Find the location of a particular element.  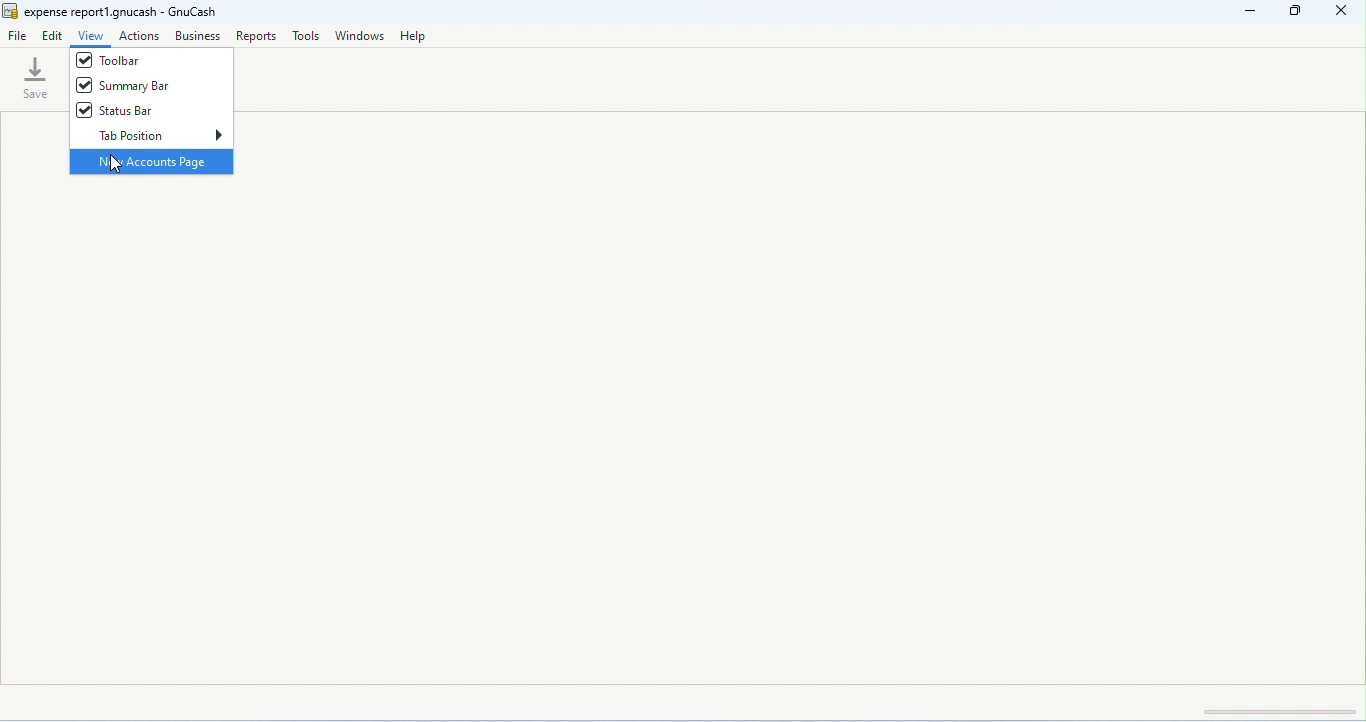

file is located at coordinates (19, 38).